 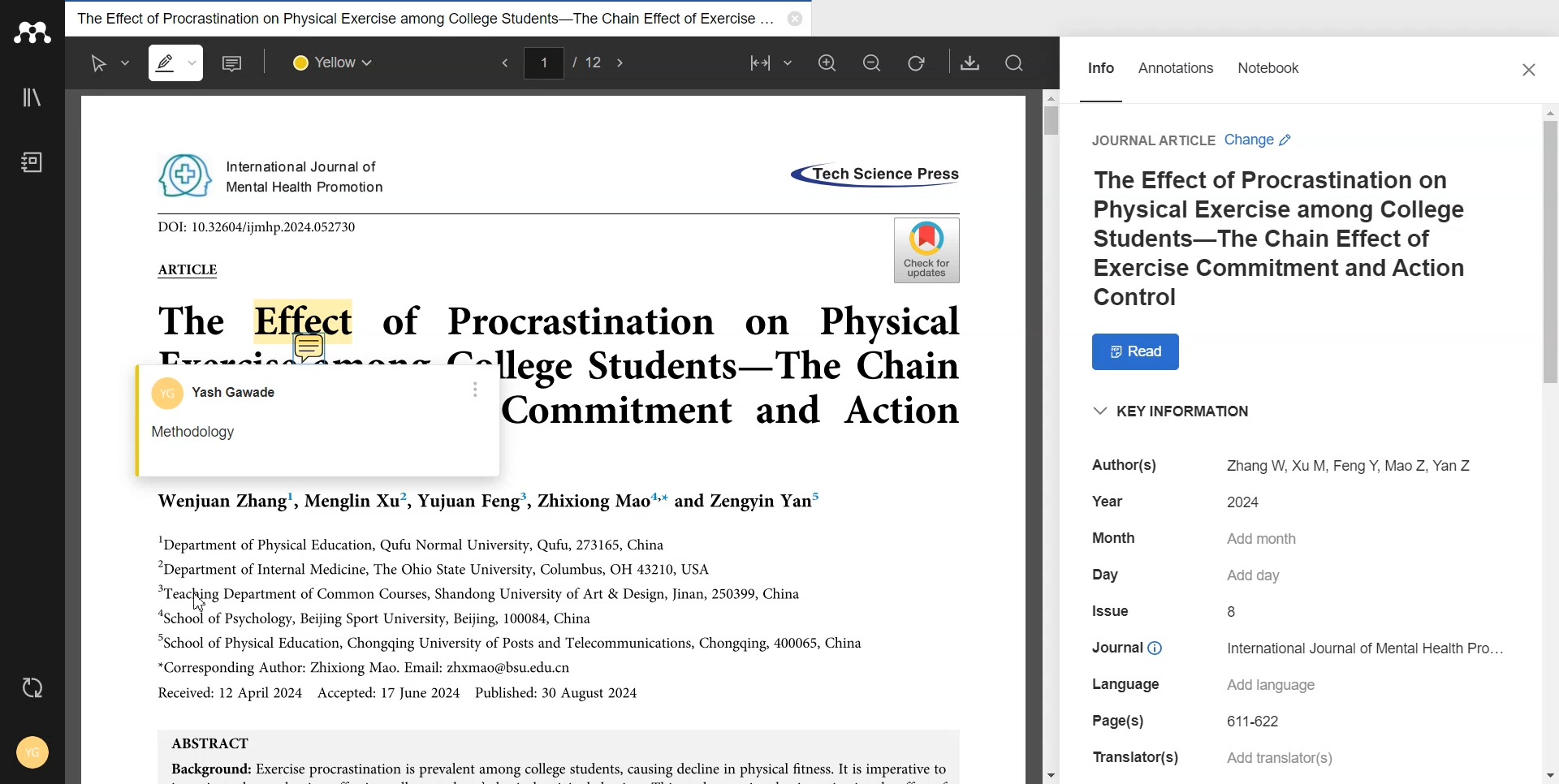 What do you see at coordinates (1203, 686) in the screenshot?
I see `Language Add language` at bounding box center [1203, 686].